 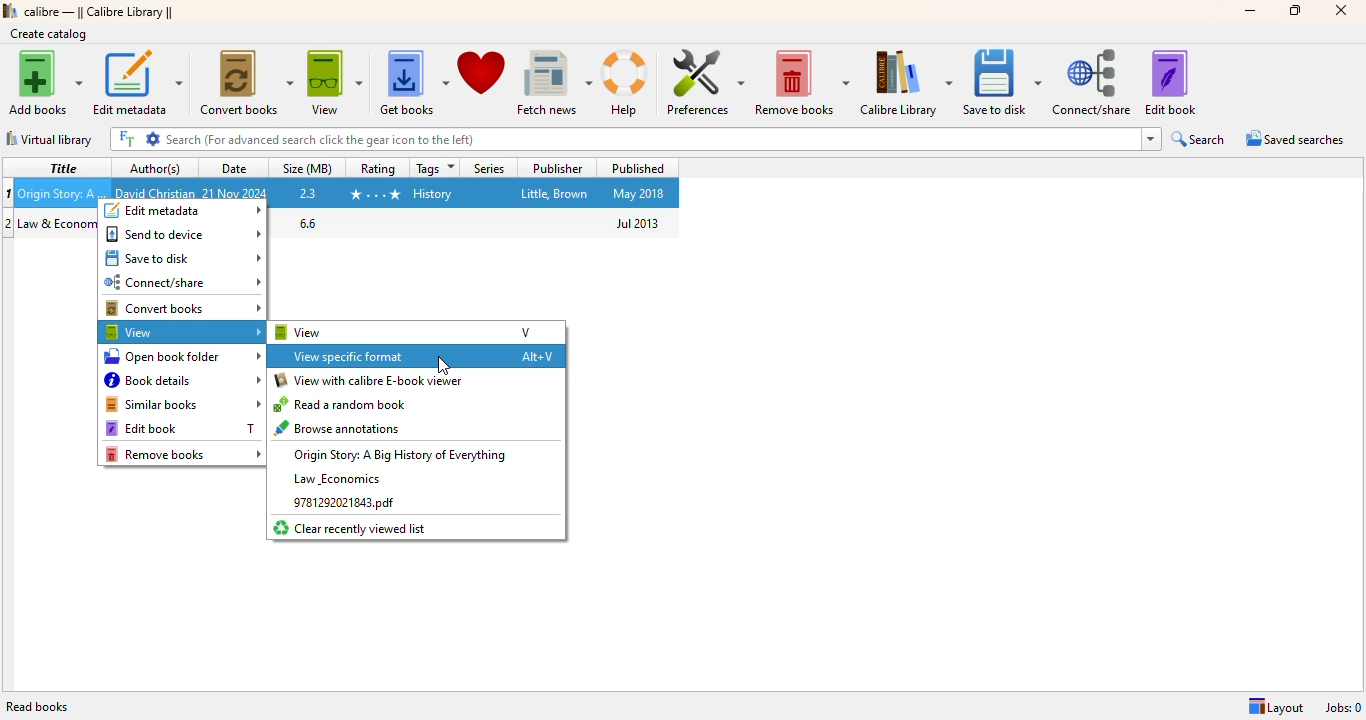 What do you see at coordinates (370, 380) in the screenshot?
I see `view with calibre e-book viewer` at bounding box center [370, 380].